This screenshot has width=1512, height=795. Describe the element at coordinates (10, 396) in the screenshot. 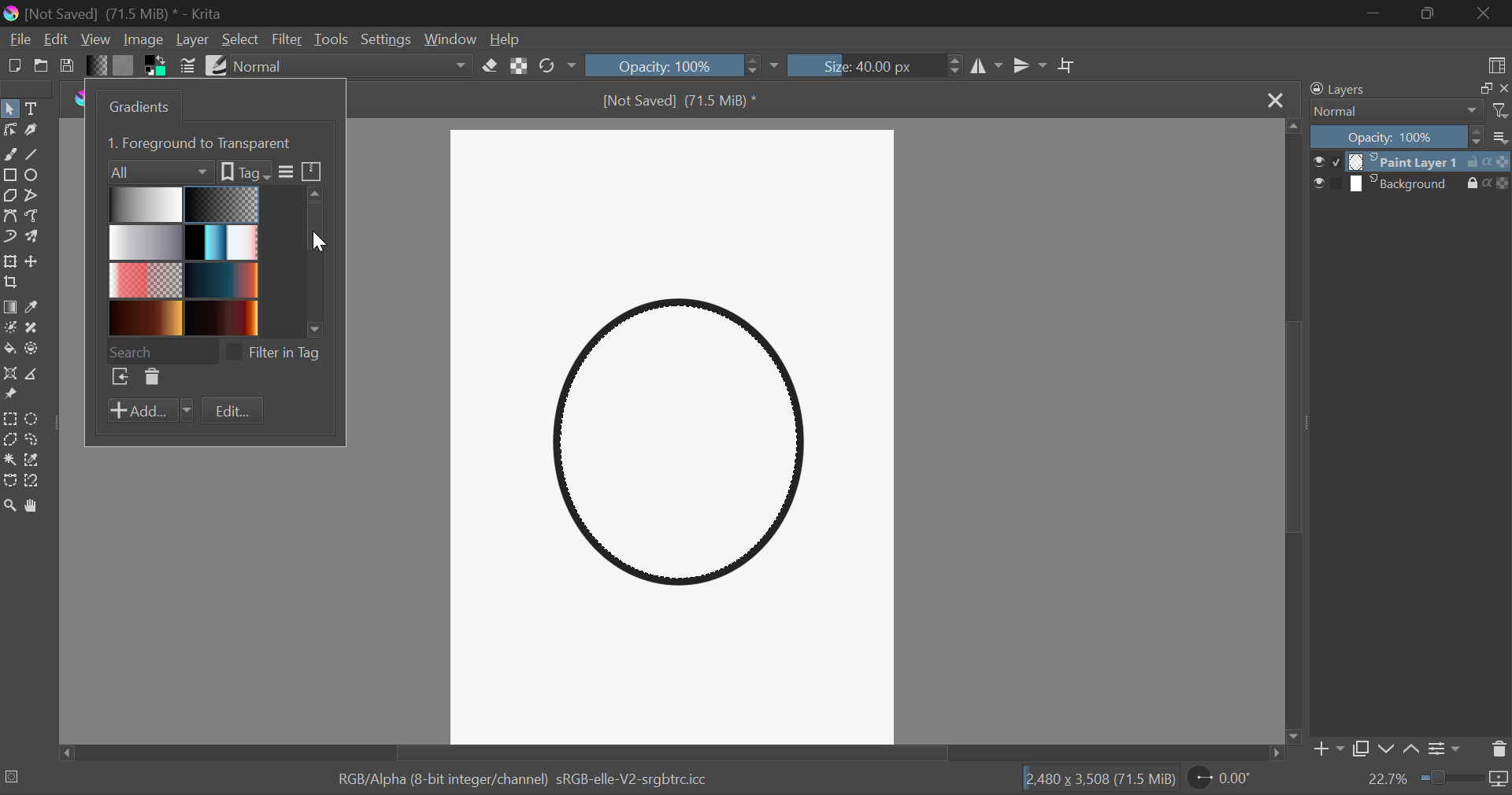

I see `Reference Images` at that location.